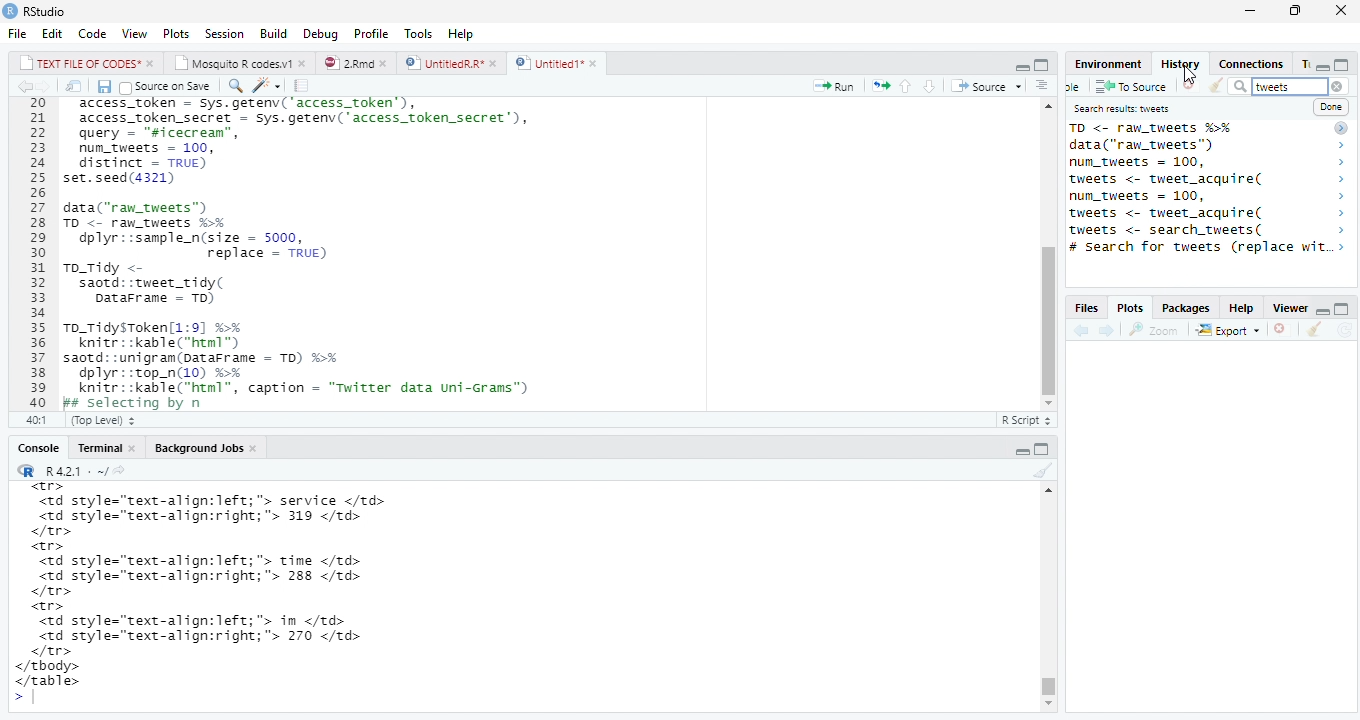 This screenshot has width=1360, height=720. What do you see at coordinates (32, 447) in the screenshot?
I see `Console` at bounding box center [32, 447].